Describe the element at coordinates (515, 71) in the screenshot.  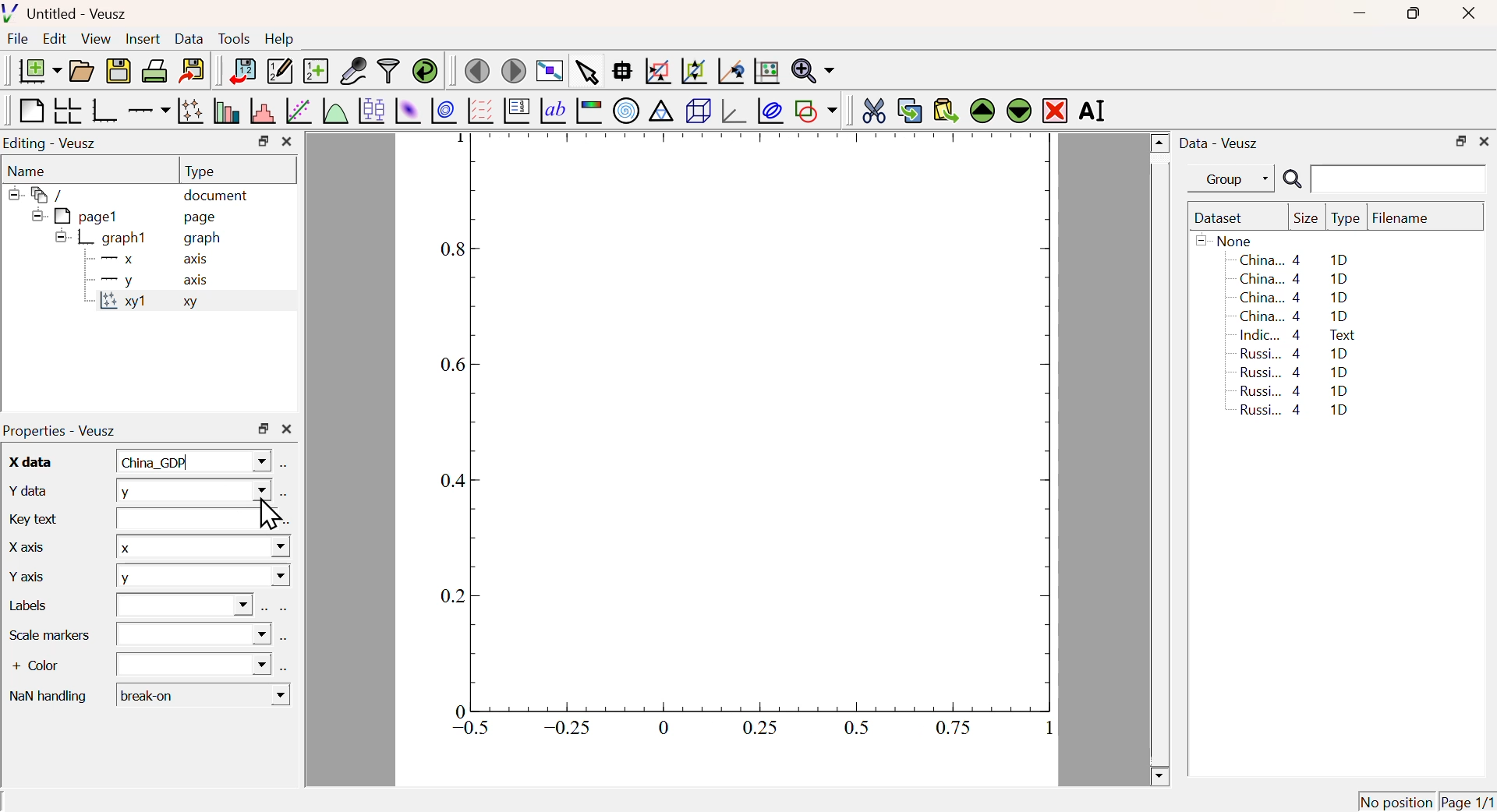
I see `Move to next page` at that location.